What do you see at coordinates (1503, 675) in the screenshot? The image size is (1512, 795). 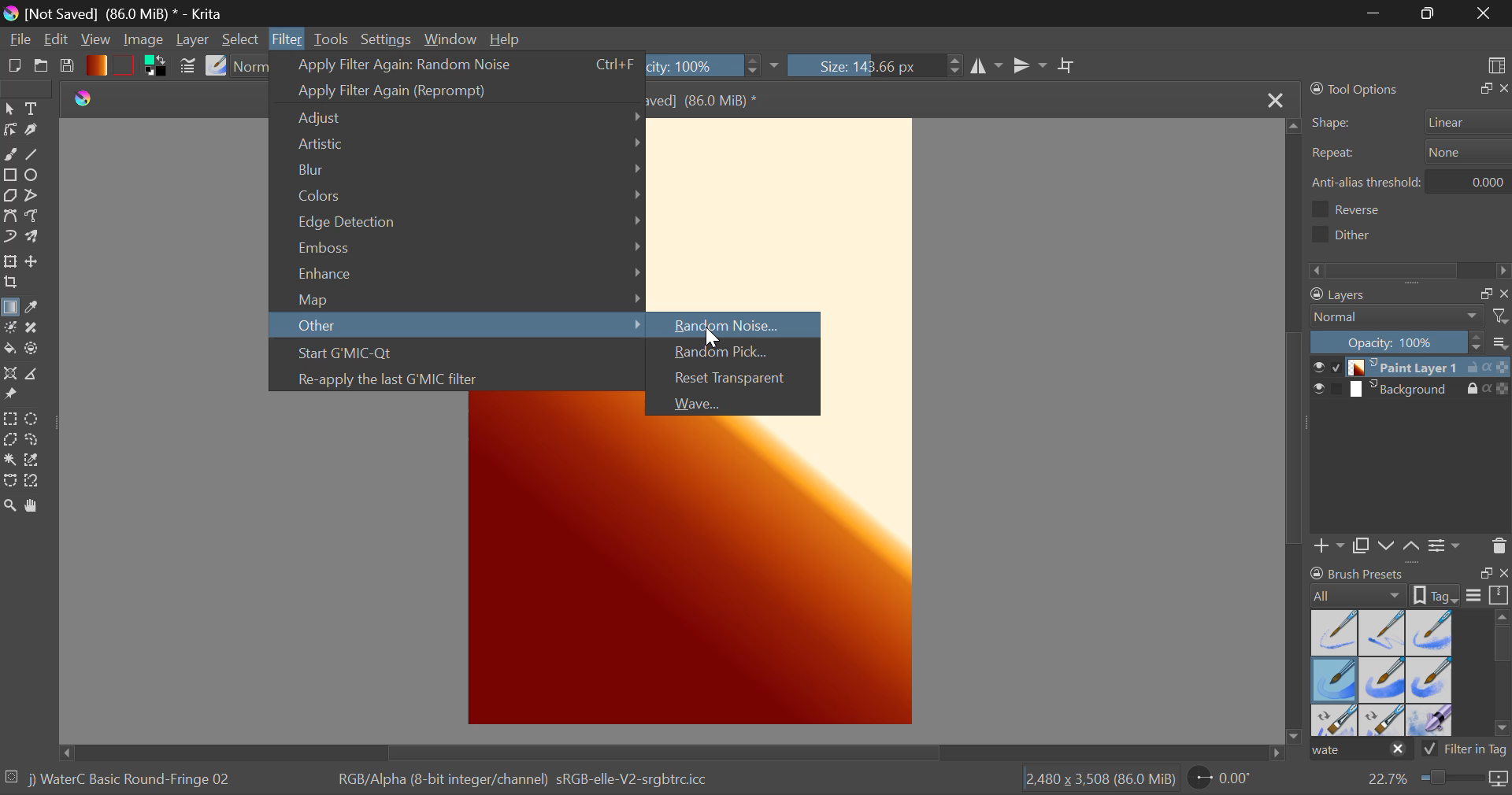 I see `horizontal scroll bar` at bounding box center [1503, 675].